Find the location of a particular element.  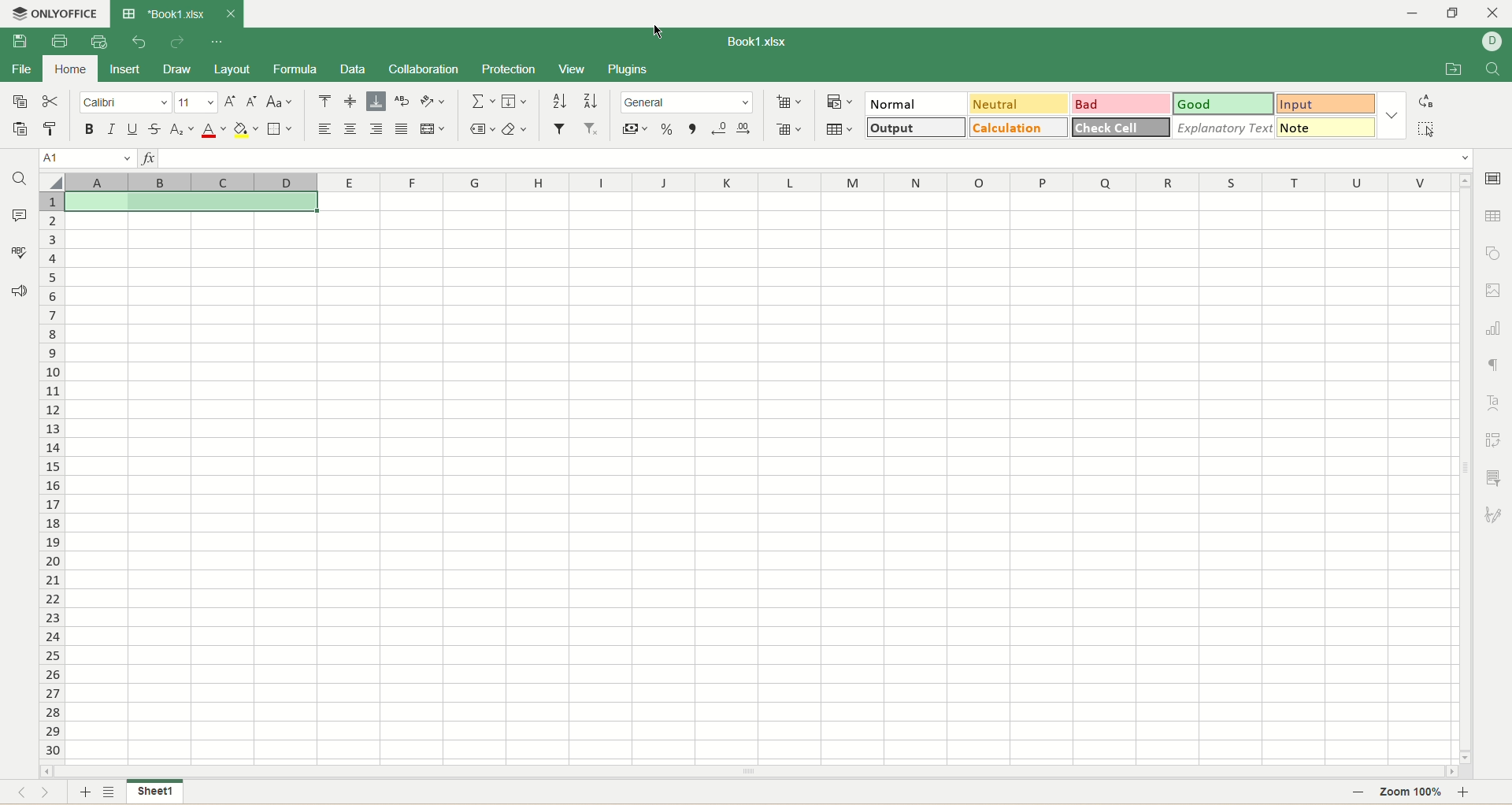

increase decimal is located at coordinates (743, 128).